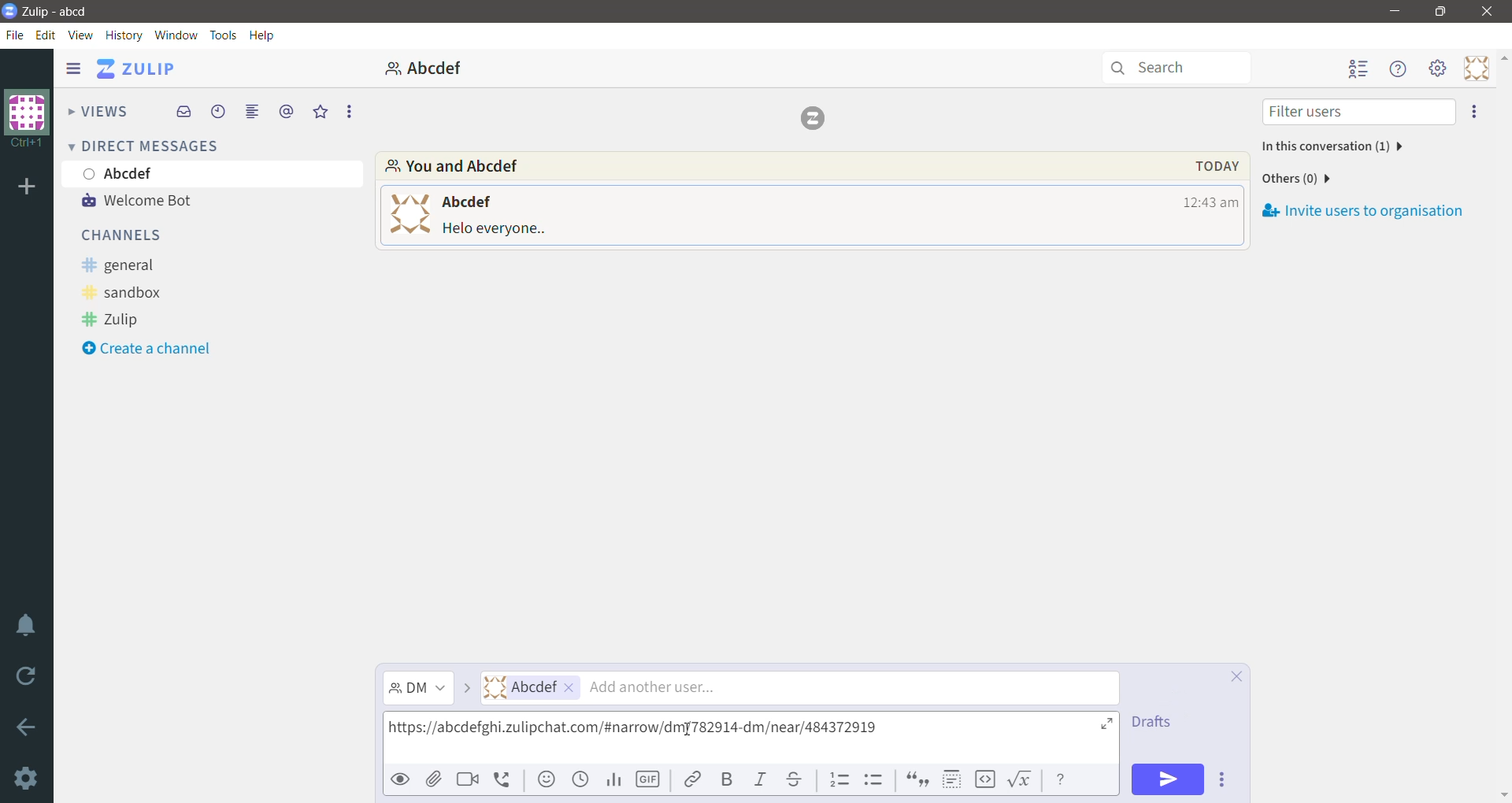 The height and width of the screenshot is (803, 1512). Describe the element at coordinates (81, 35) in the screenshot. I see `View` at that location.